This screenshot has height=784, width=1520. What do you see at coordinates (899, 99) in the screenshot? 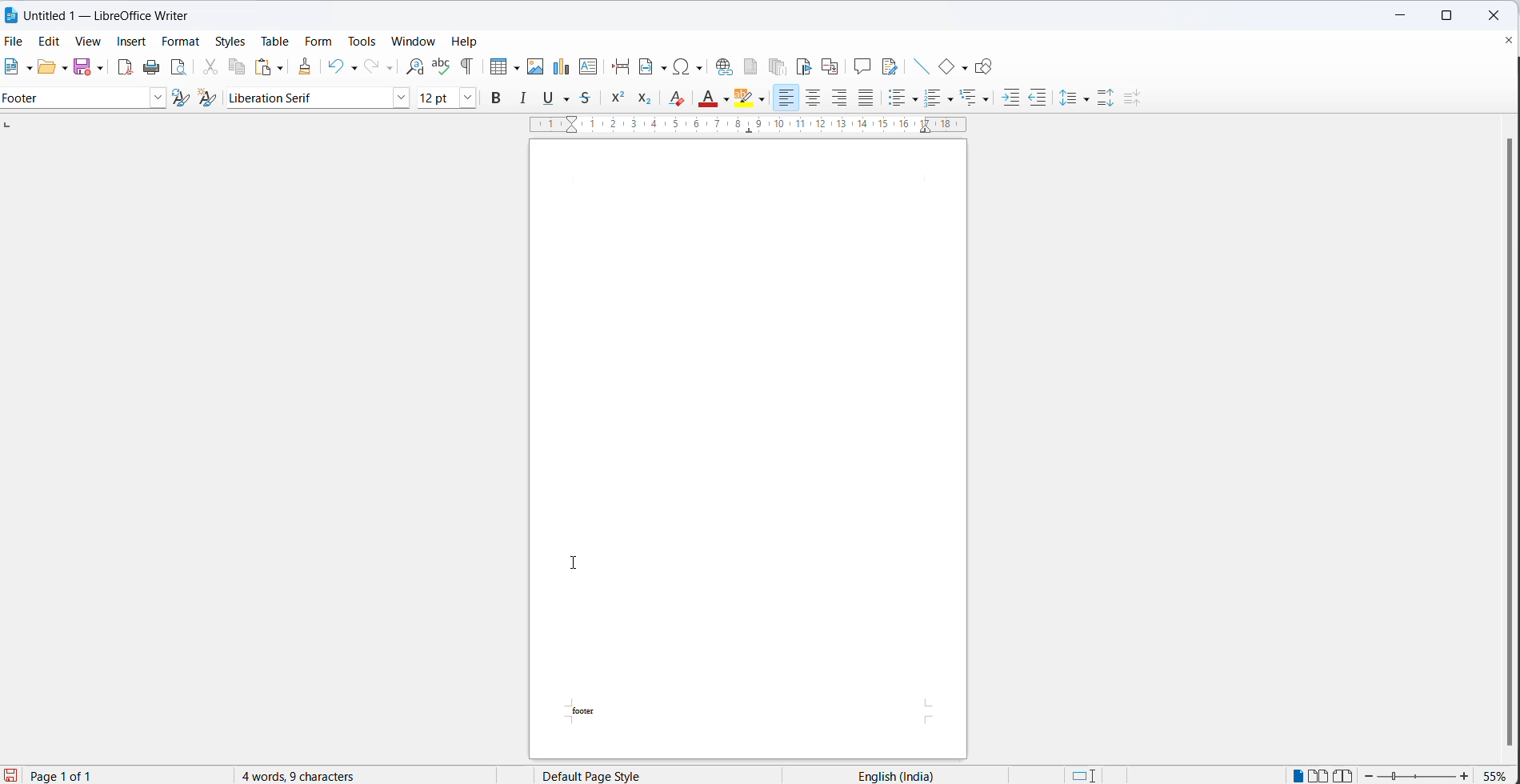
I see `toggle ordered list ` at bounding box center [899, 99].